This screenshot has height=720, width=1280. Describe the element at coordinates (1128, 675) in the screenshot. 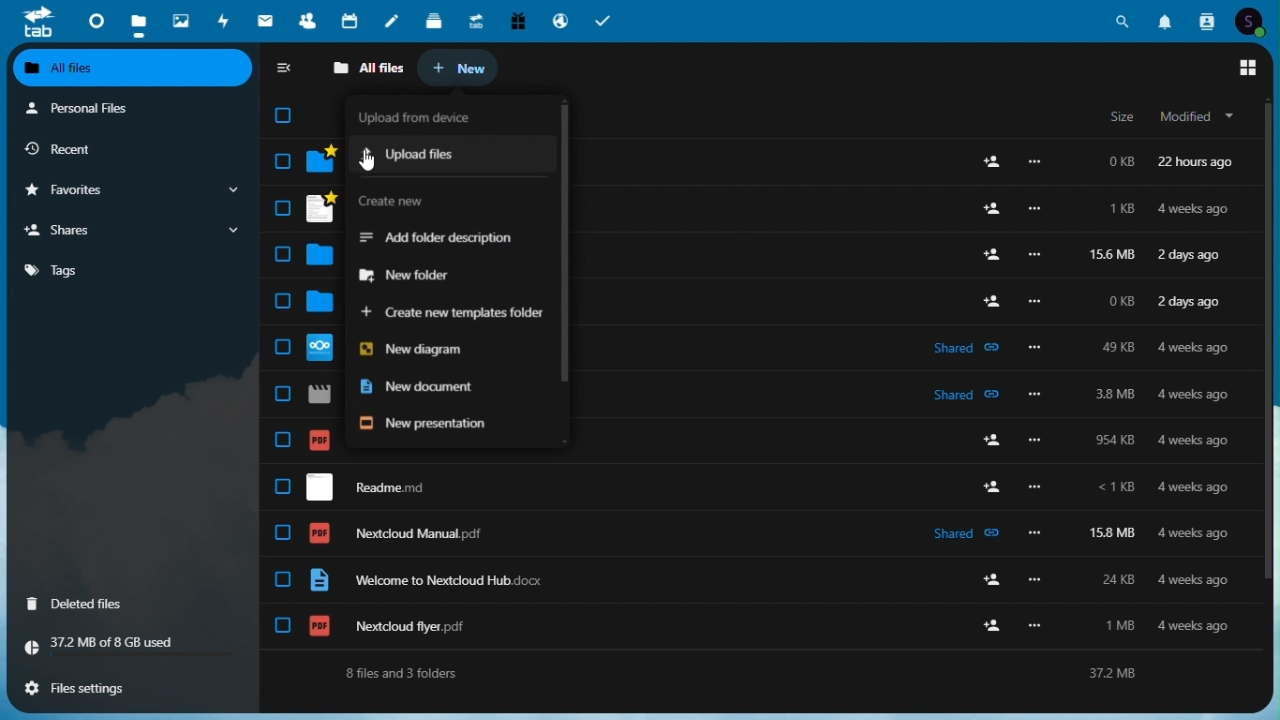

I see `37.2 mb` at that location.